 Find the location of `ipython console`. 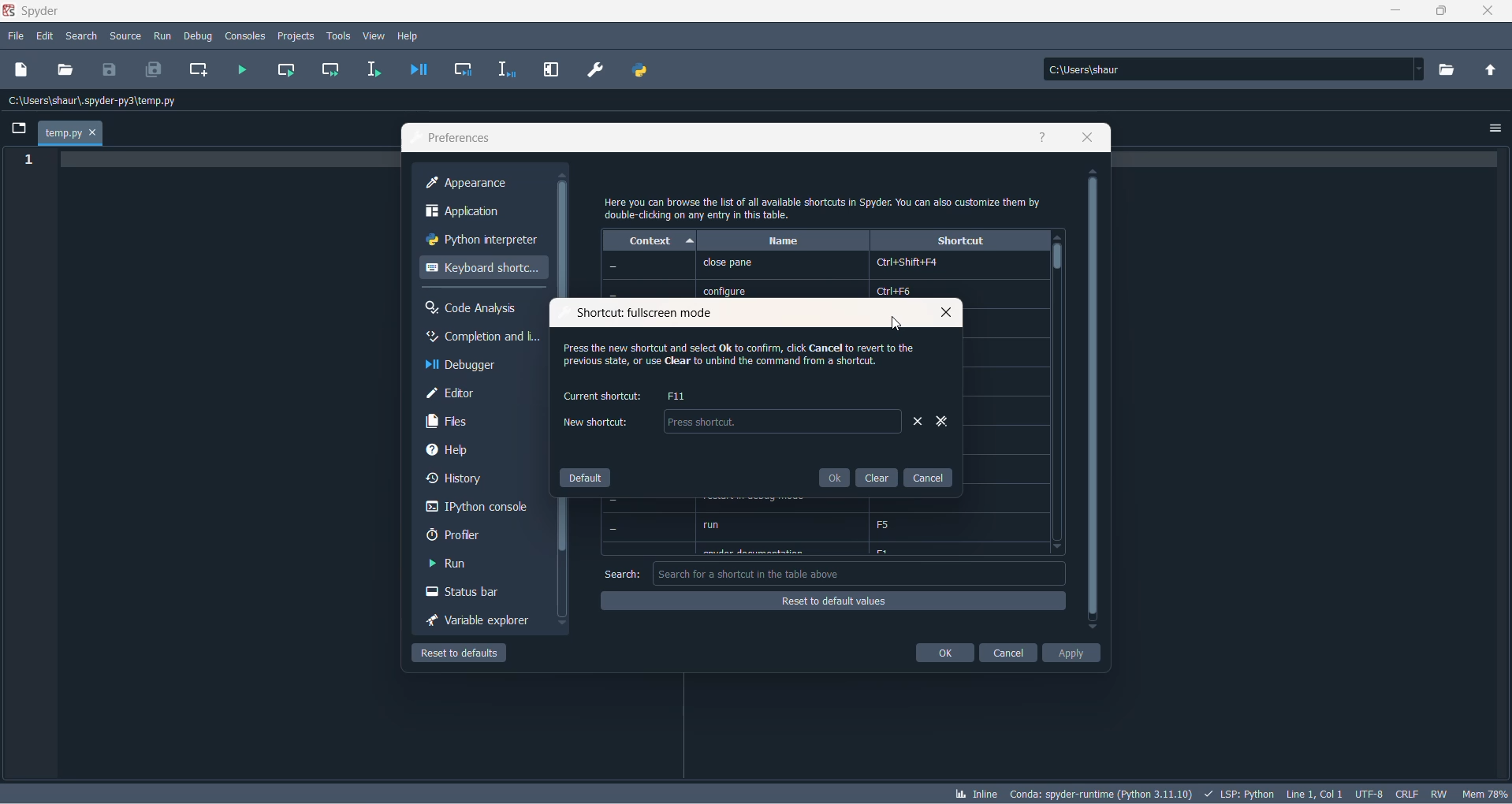

ipython console is located at coordinates (478, 508).